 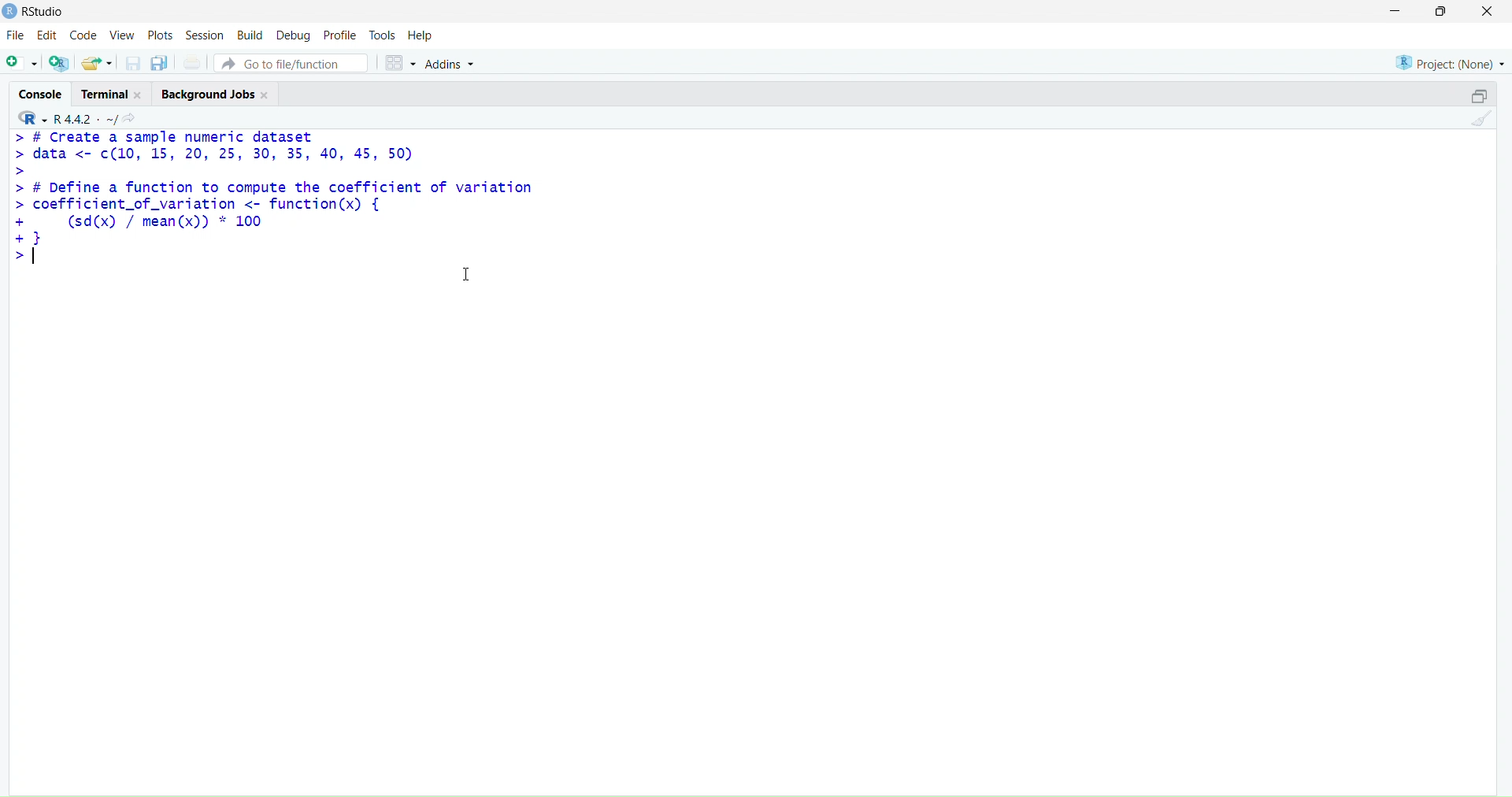 What do you see at coordinates (205, 35) in the screenshot?
I see `session` at bounding box center [205, 35].